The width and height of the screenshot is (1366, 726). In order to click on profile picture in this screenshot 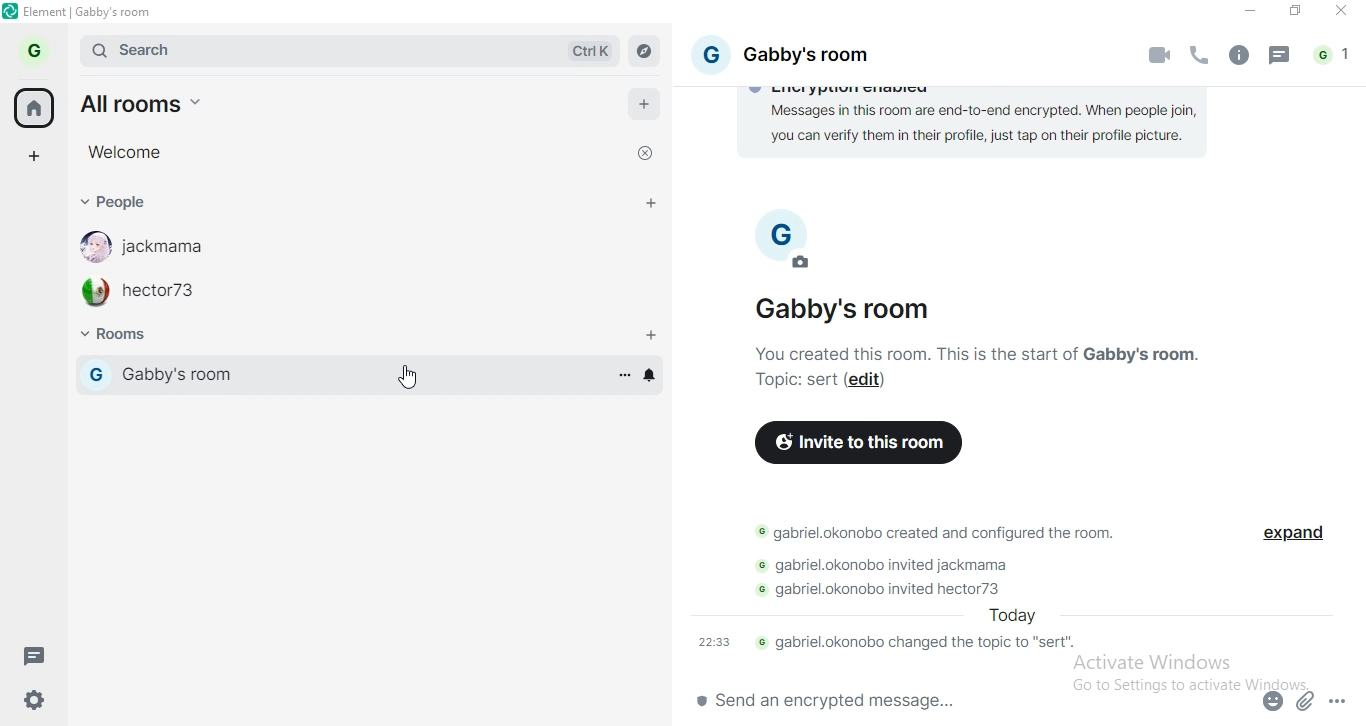, I will do `click(776, 219)`.